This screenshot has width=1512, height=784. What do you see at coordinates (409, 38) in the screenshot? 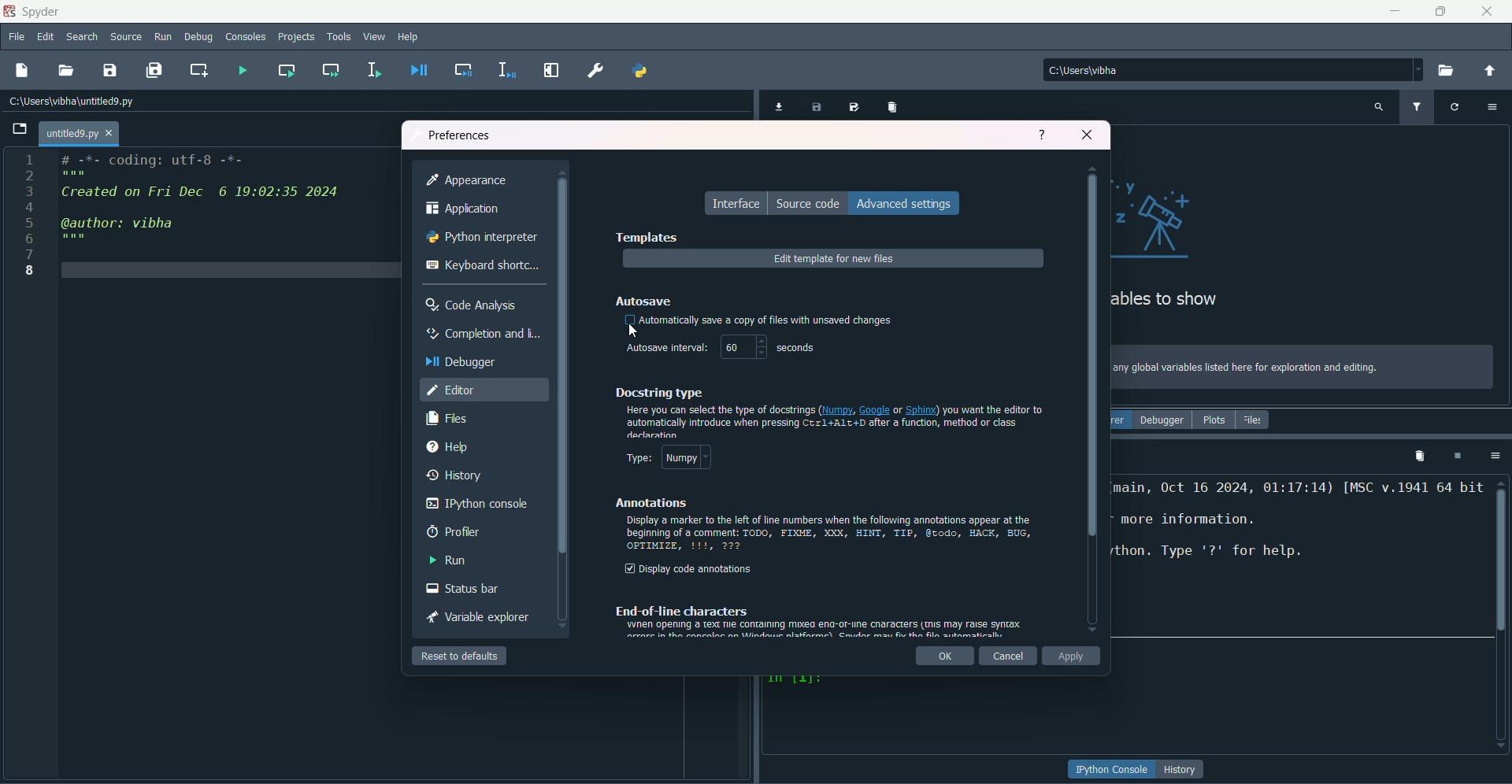
I see `help` at bounding box center [409, 38].